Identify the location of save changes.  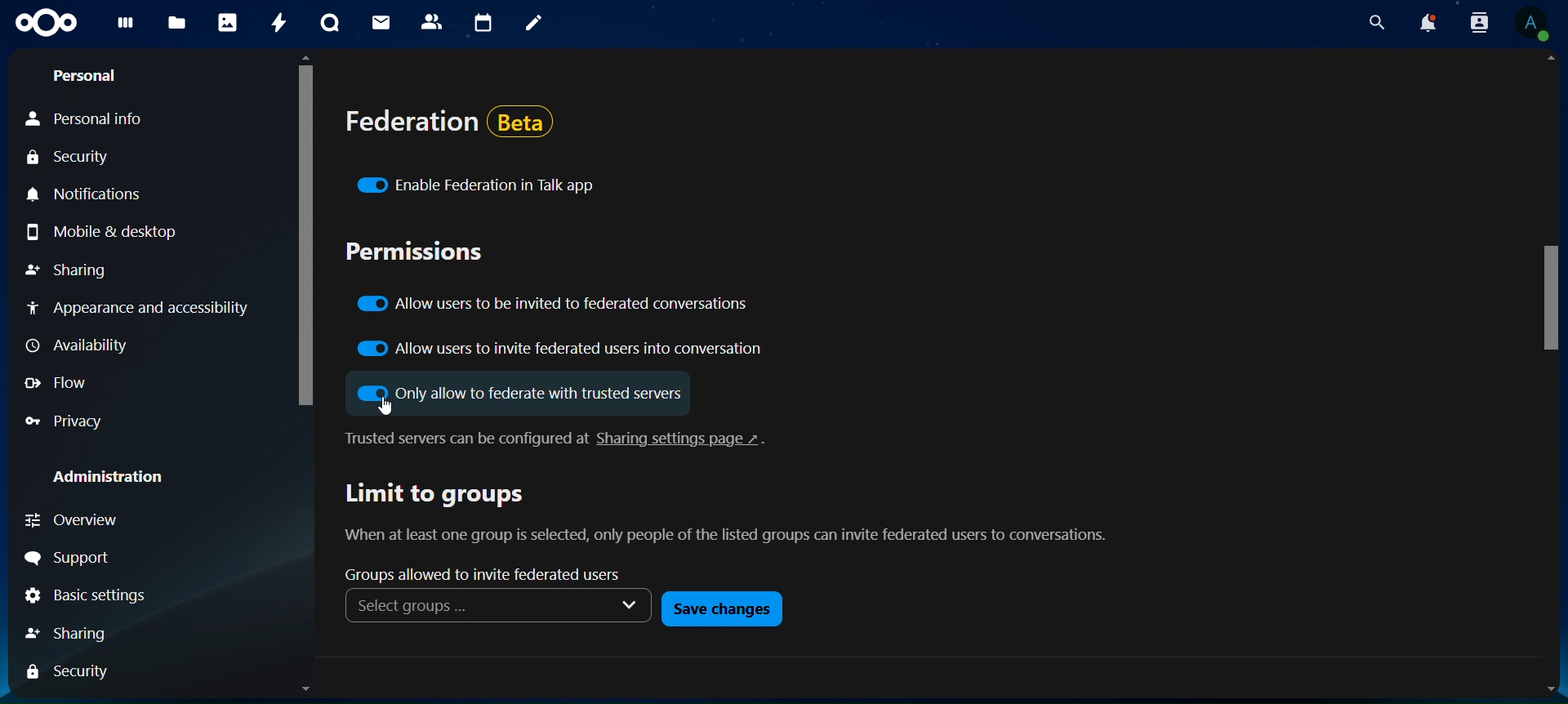
(721, 608).